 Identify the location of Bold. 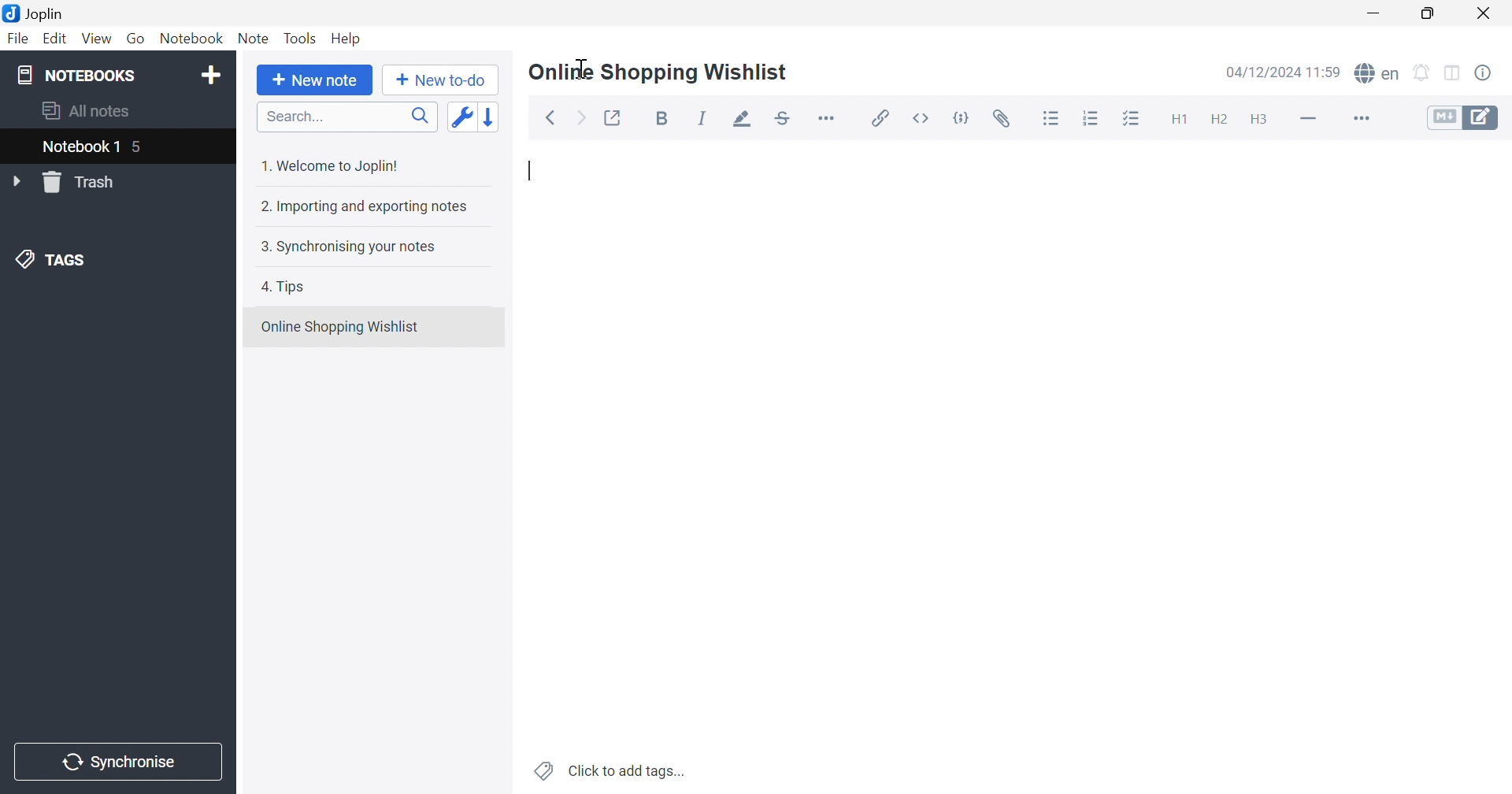
(662, 118).